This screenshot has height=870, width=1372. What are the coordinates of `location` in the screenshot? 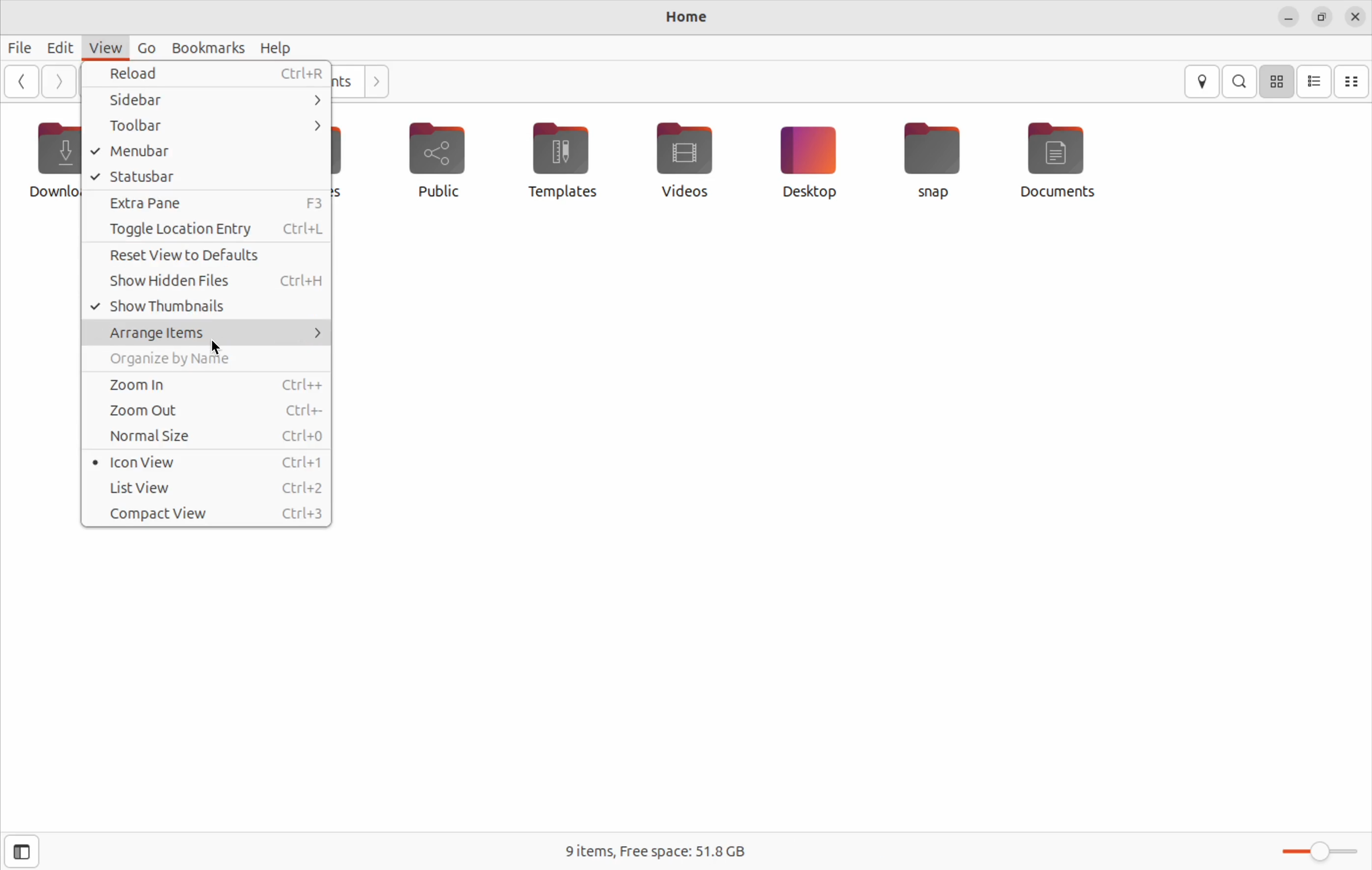 It's located at (1203, 82).